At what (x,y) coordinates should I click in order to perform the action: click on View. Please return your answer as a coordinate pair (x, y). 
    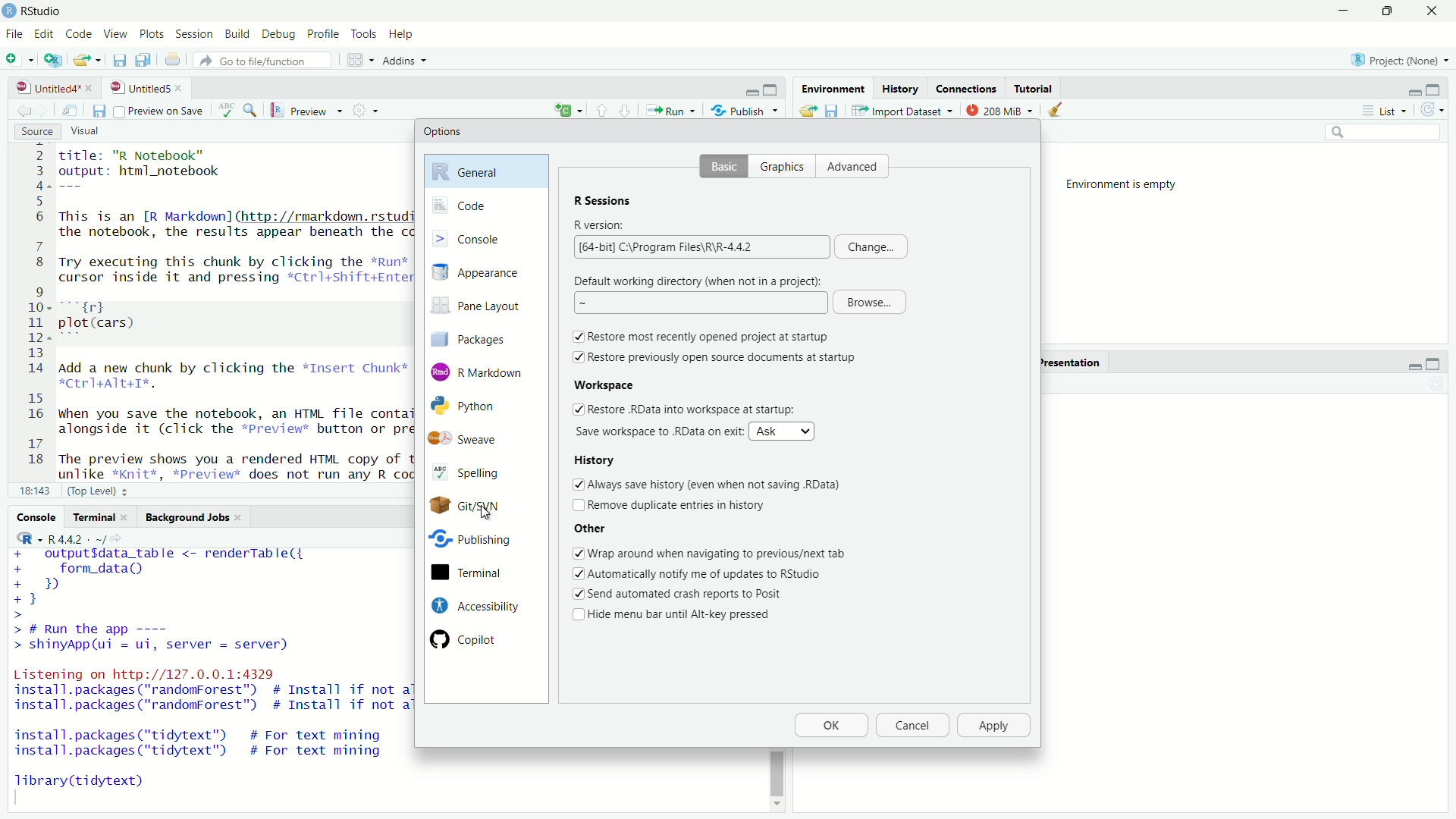
    Looking at the image, I should click on (114, 35).